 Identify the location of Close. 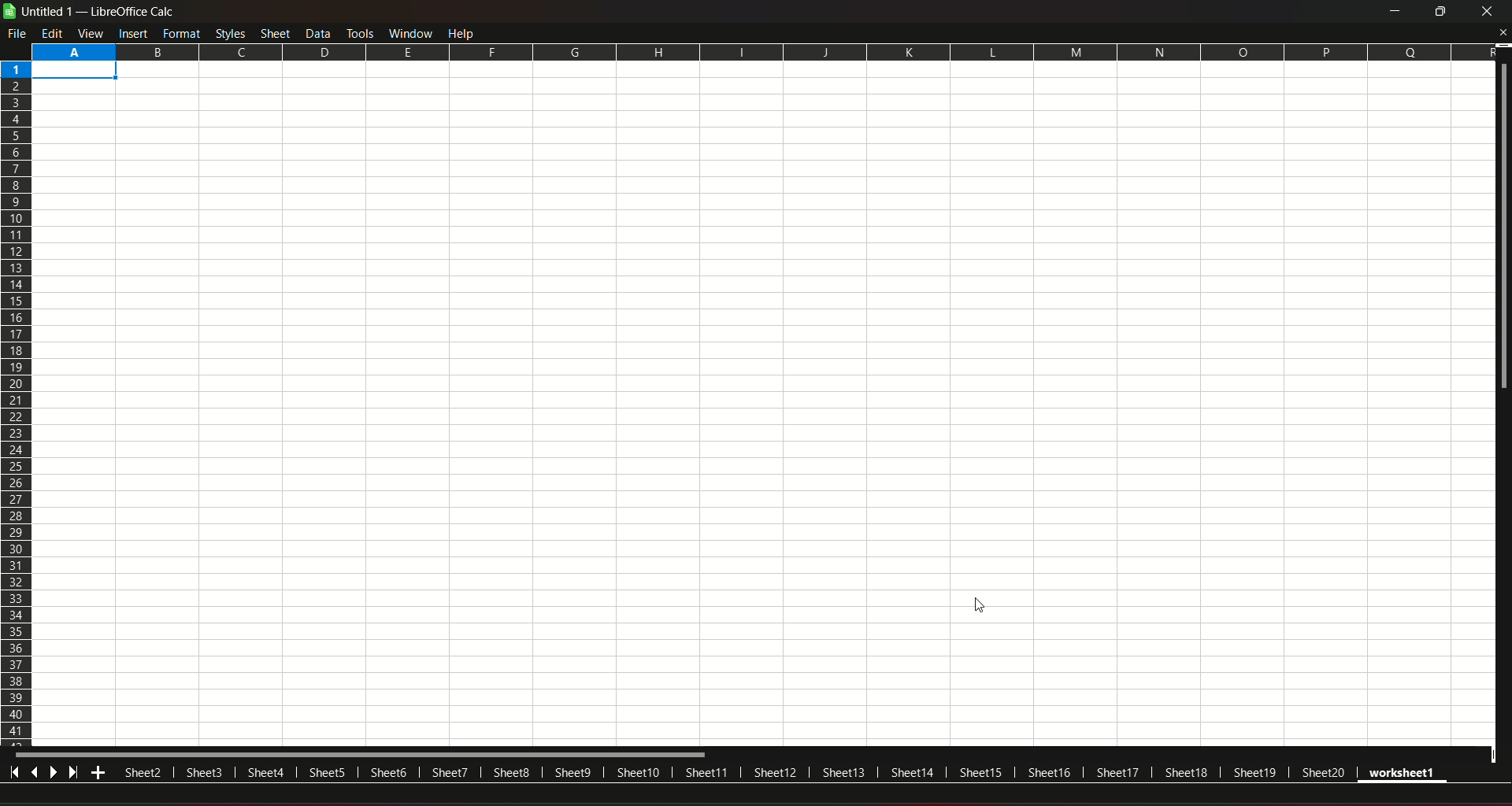
(1502, 33).